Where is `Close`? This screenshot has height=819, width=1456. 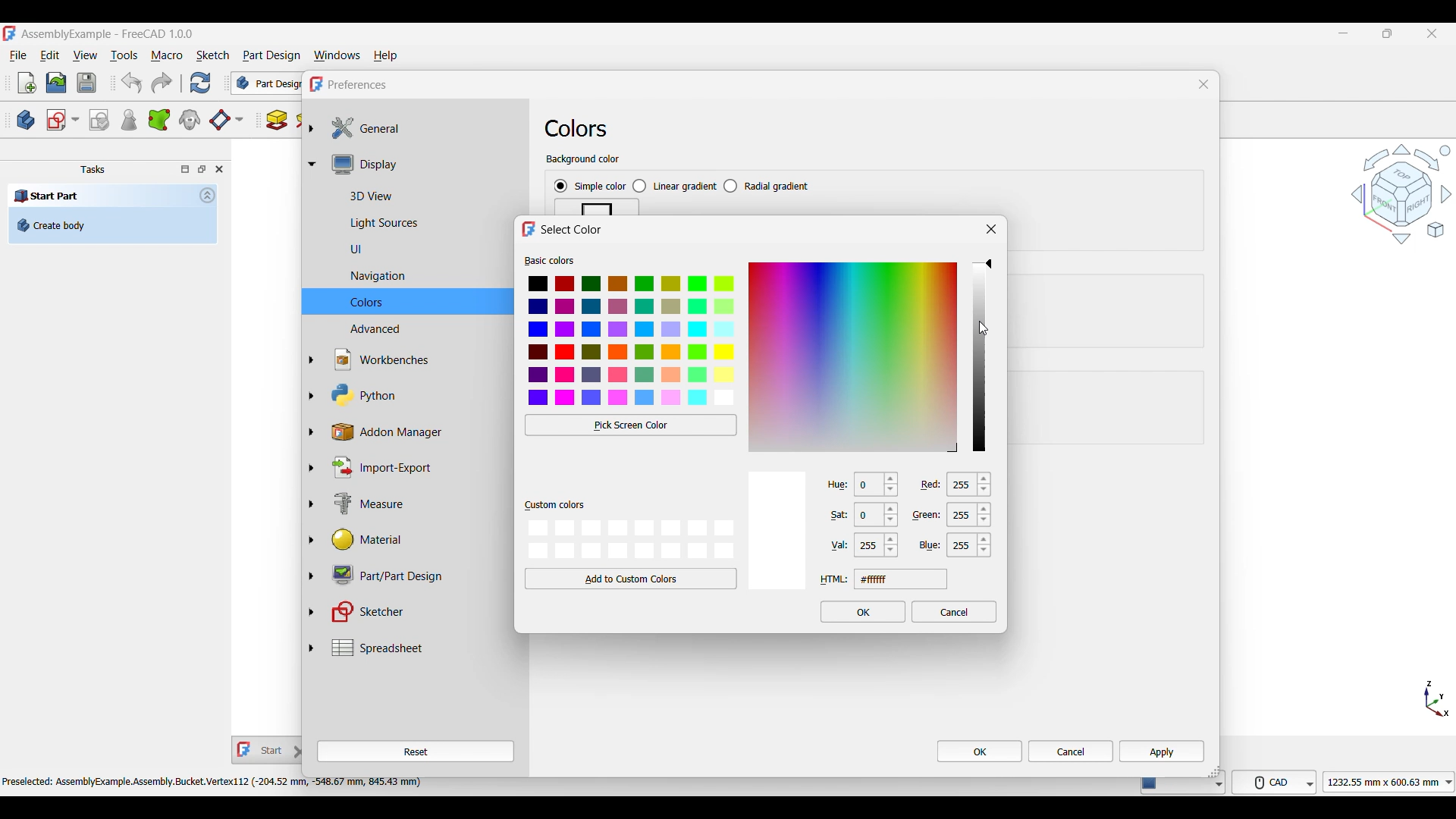
Close is located at coordinates (219, 169).